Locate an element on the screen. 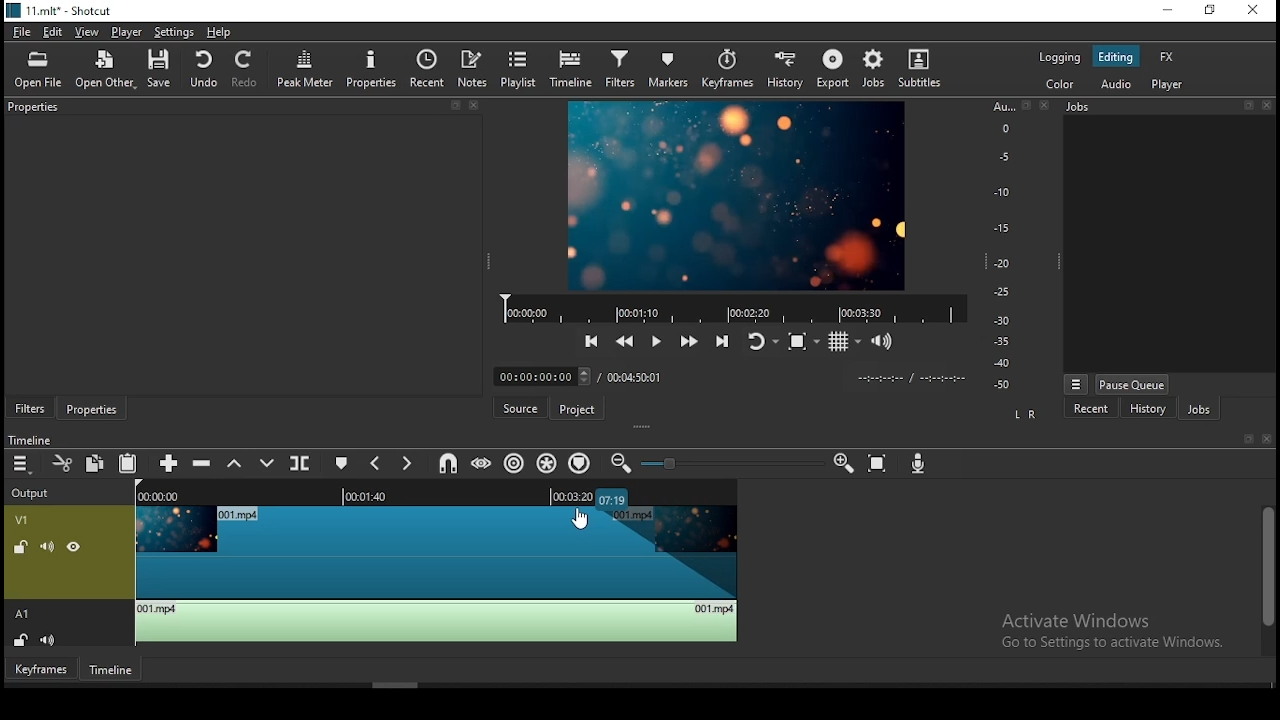  video progress bar is located at coordinates (735, 309).